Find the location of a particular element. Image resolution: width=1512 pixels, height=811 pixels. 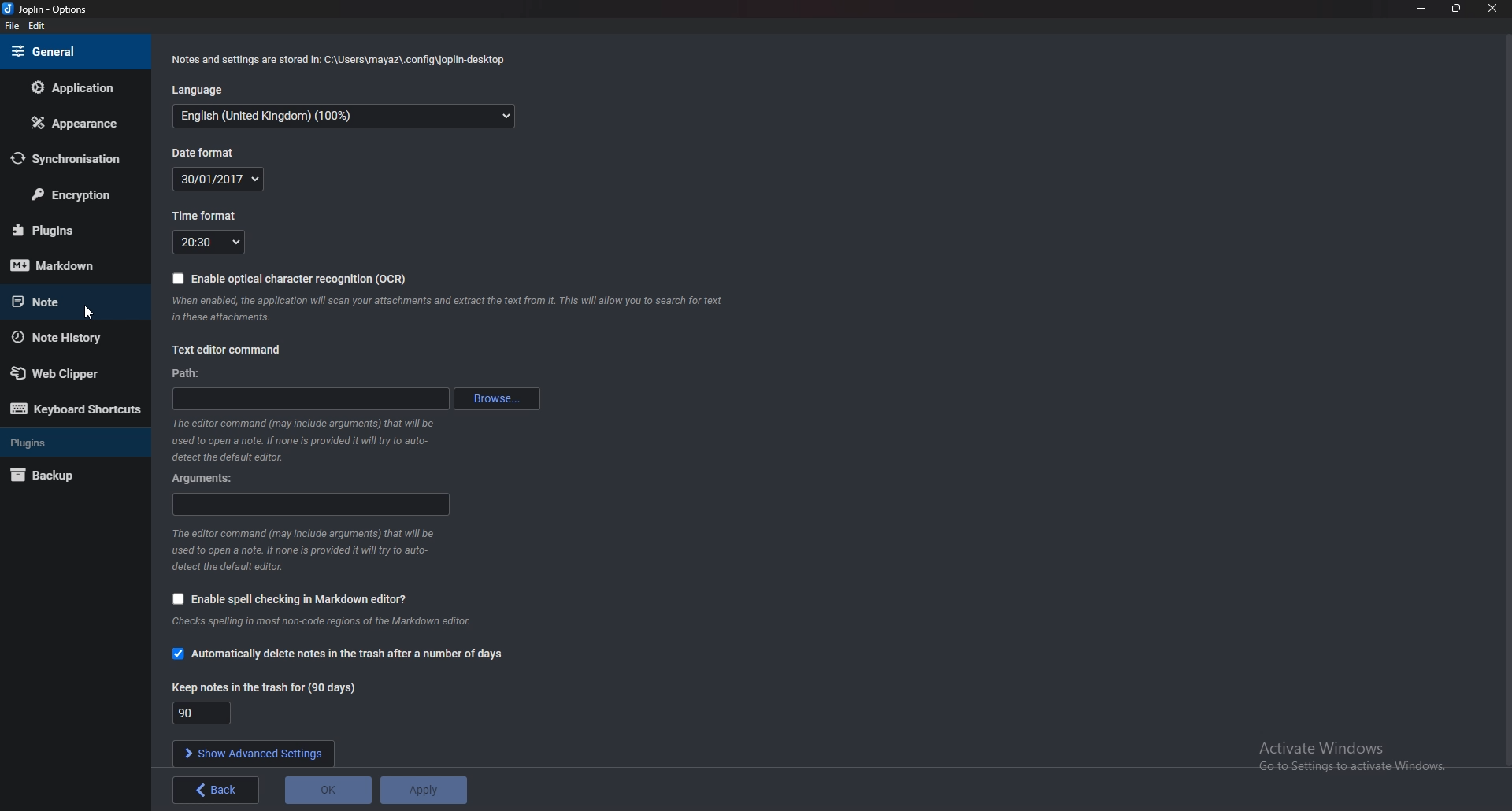

Note history is located at coordinates (65, 337).